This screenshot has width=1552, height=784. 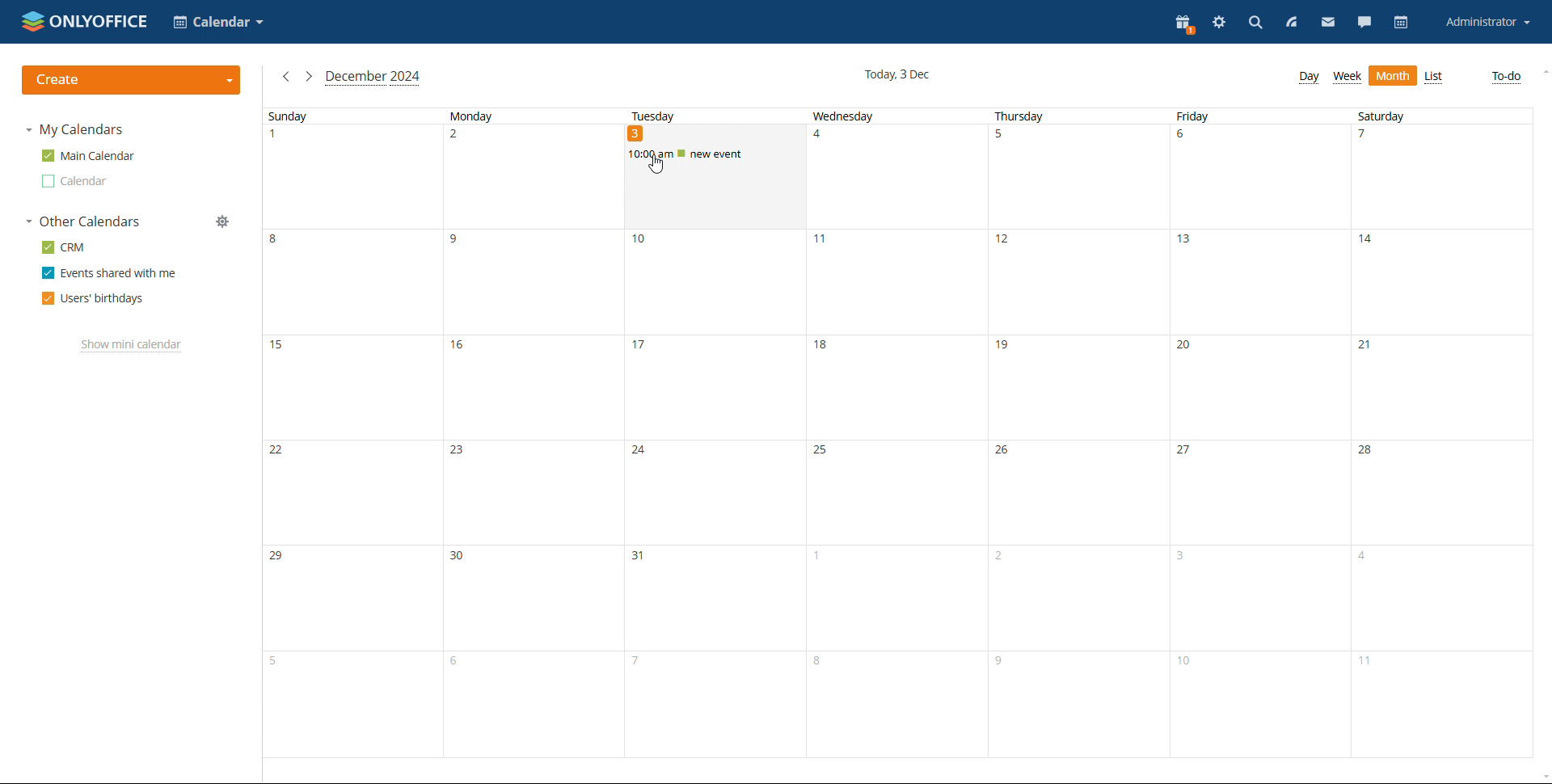 I want to click on 10, so click(x=712, y=283).